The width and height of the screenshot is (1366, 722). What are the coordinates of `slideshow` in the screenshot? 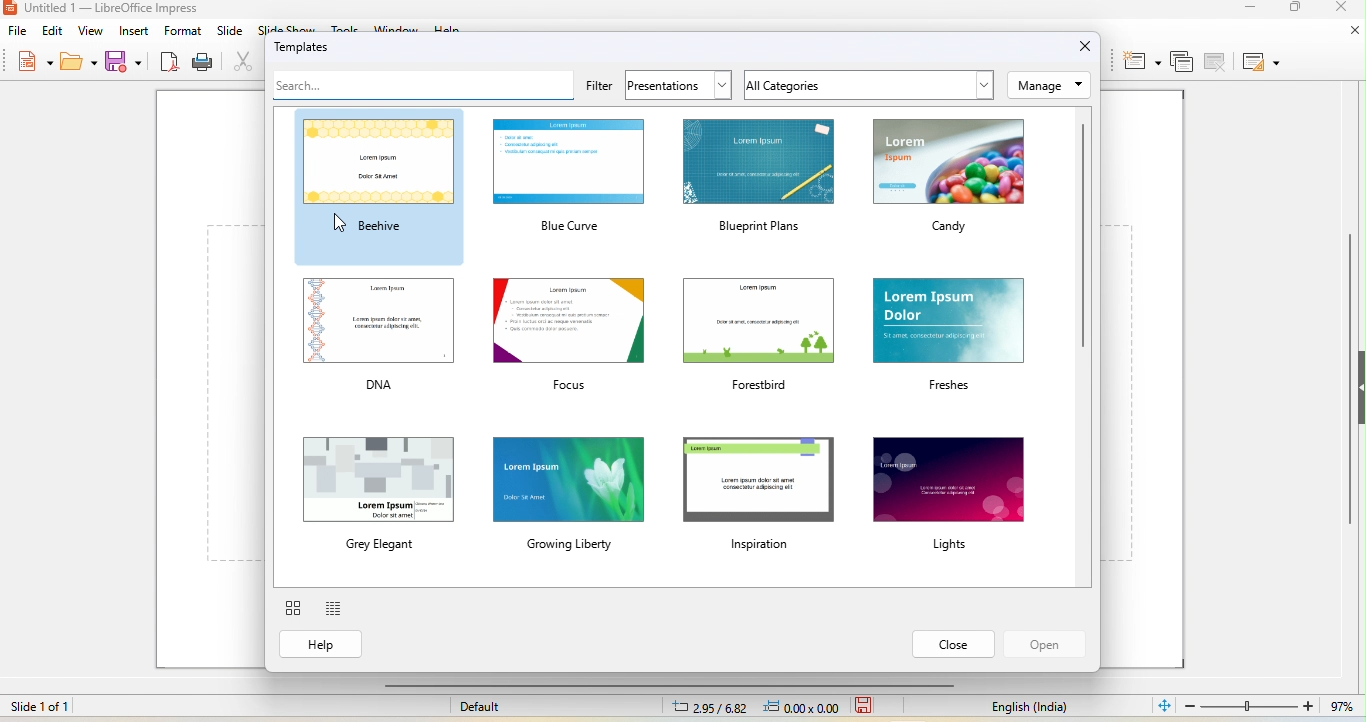 It's located at (286, 28).